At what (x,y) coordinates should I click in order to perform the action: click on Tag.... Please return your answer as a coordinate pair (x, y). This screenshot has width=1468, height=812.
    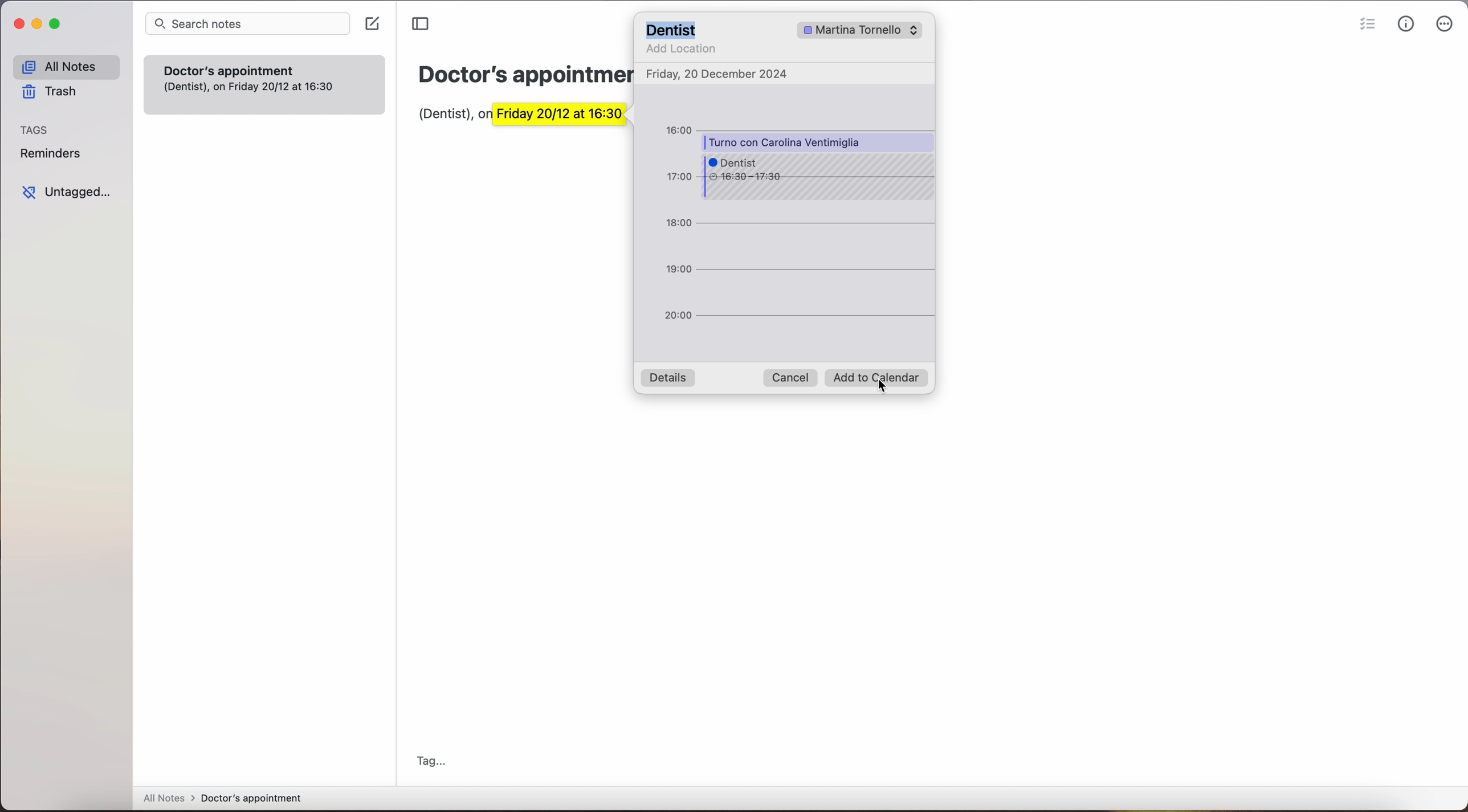
    Looking at the image, I should click on (435, 758).